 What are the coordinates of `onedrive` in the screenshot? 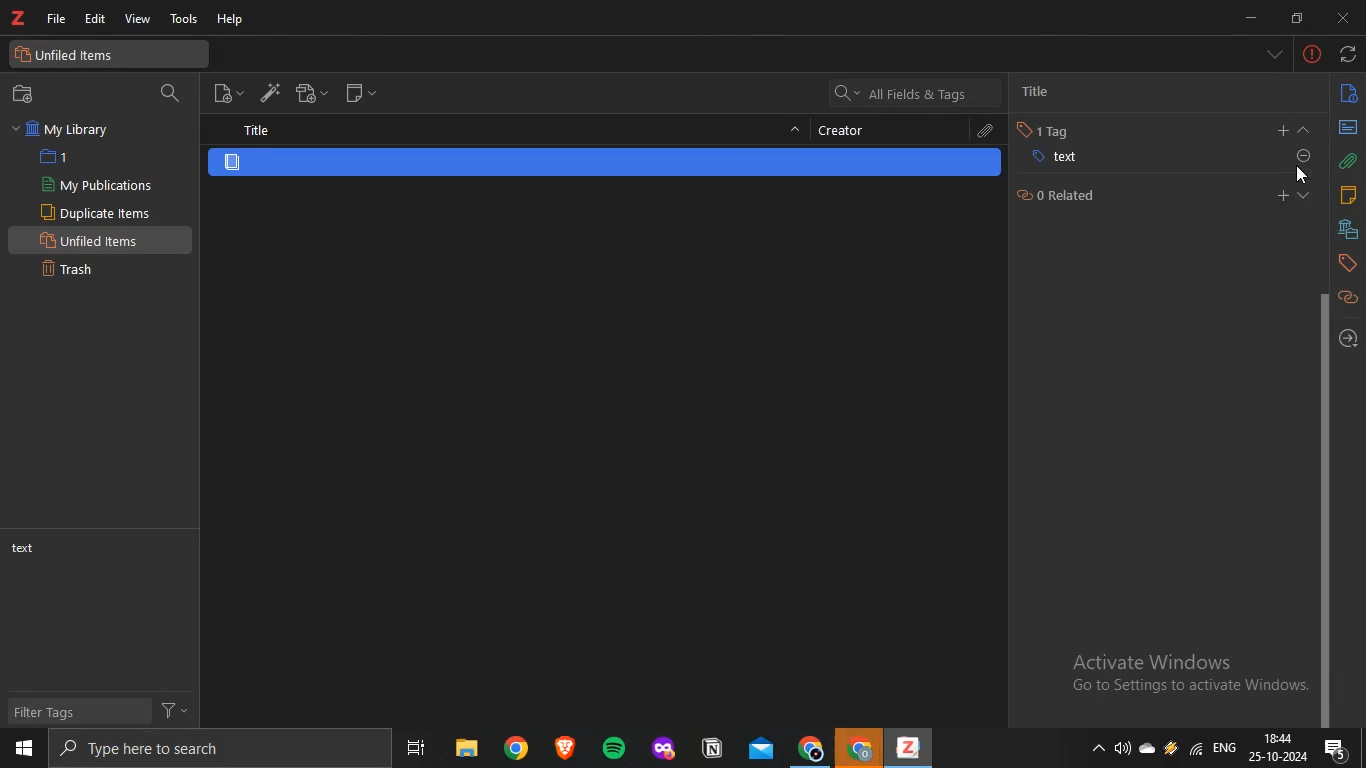 It's located at (1169, 748).